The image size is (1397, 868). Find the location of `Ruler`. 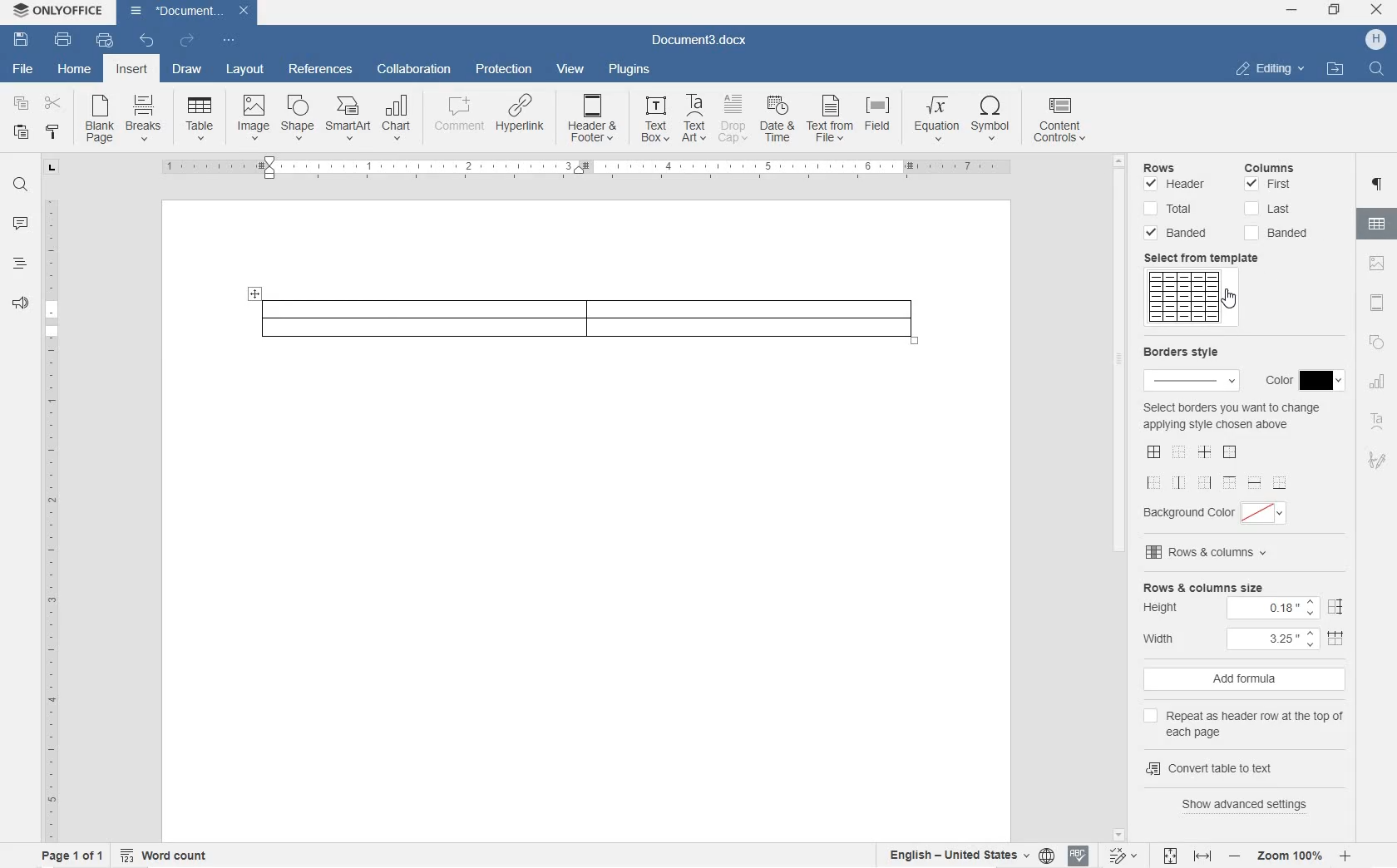

Ruler is located at coordinates (585, 169).